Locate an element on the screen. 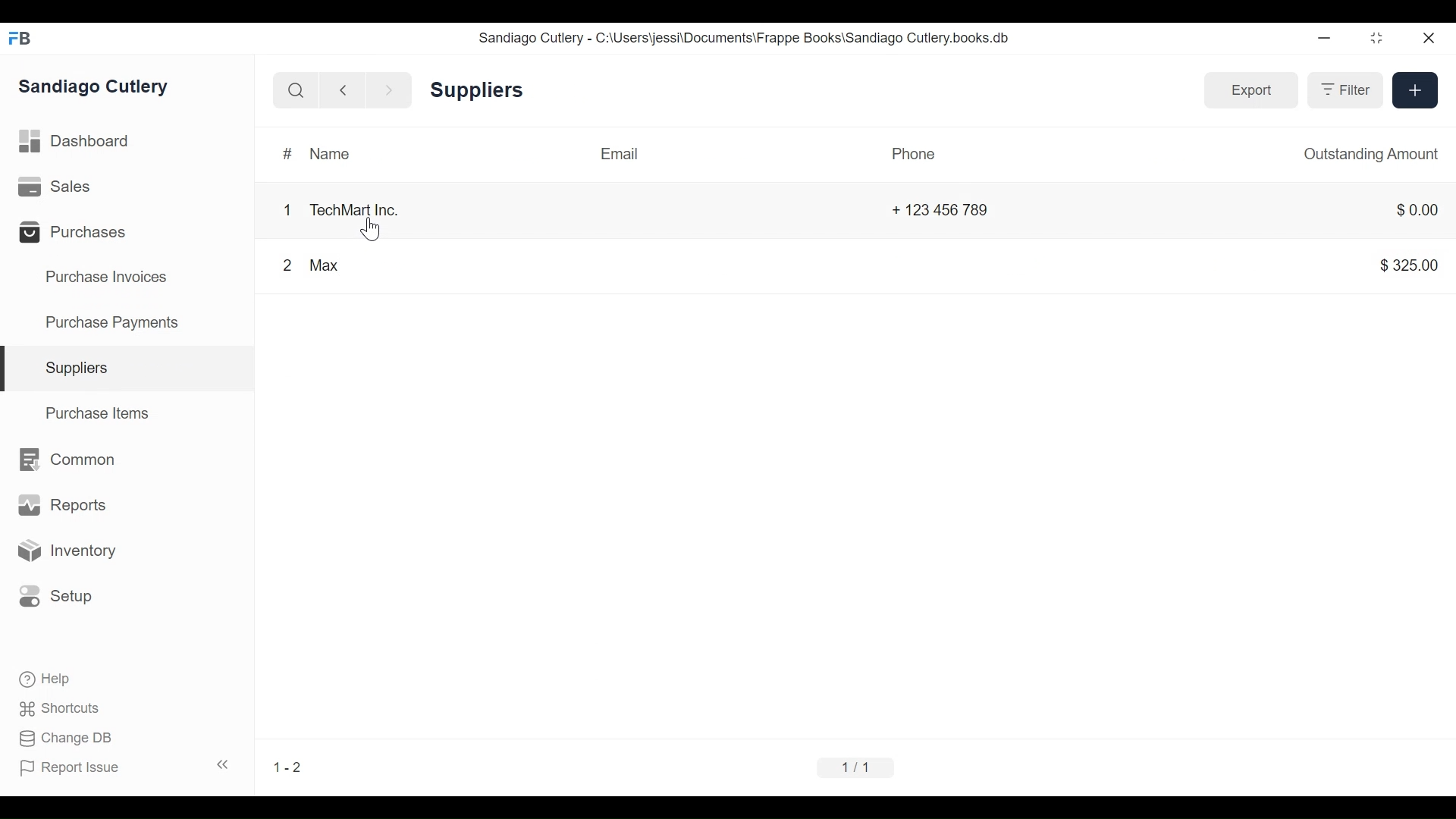 The height and width of the screenshot is (819, 1456). Setup is located at coordinates (63, 596).